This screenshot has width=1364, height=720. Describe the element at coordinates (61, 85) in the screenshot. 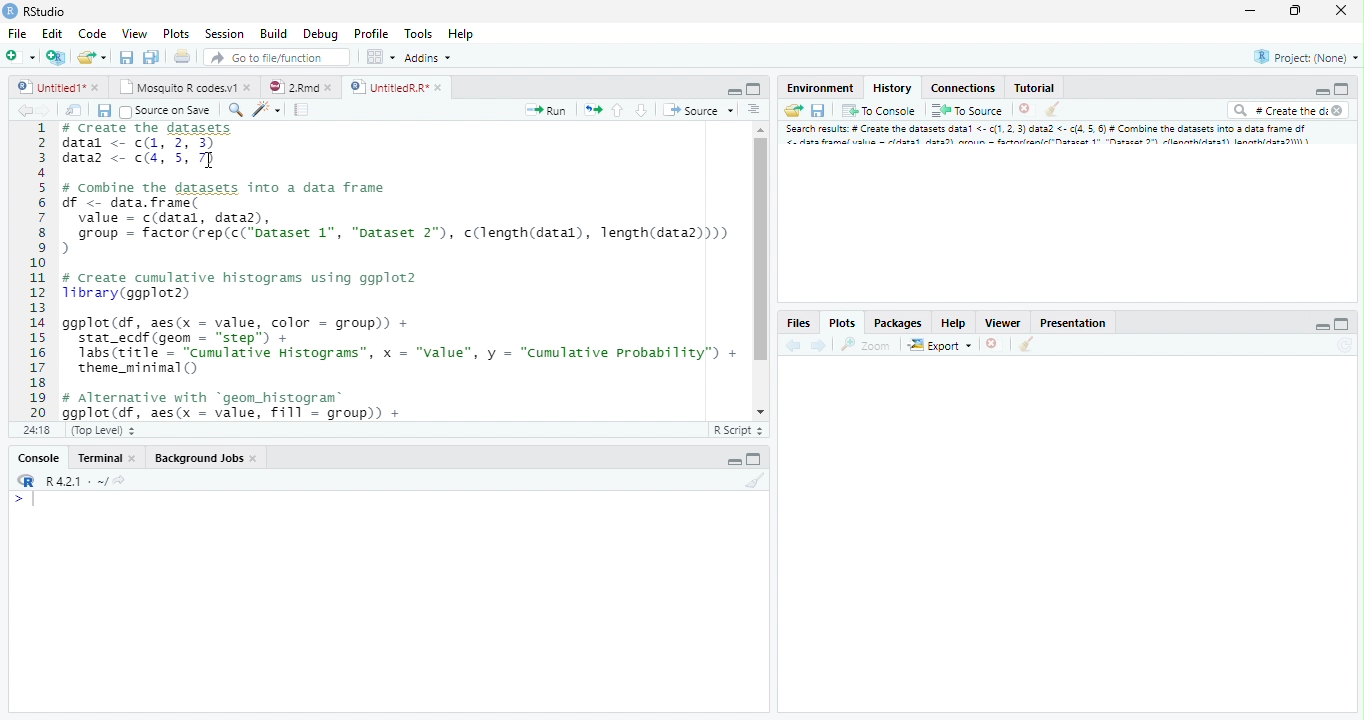

I see `Untitled` at that location.